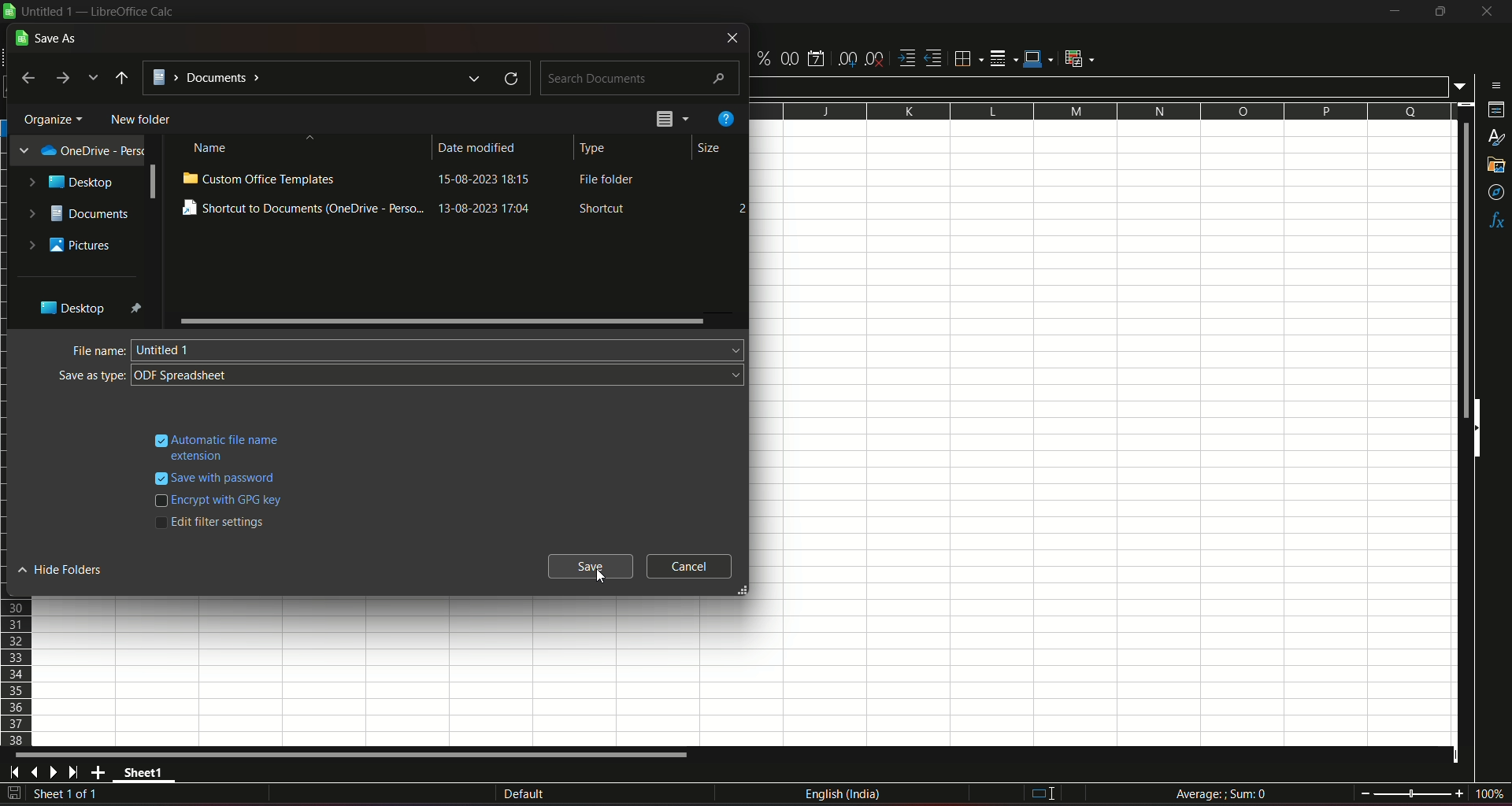 This screenshot has height=806, width=1512. Describe the element at coordinates (79, 213) in the screenshot. I see `documents` at that location.